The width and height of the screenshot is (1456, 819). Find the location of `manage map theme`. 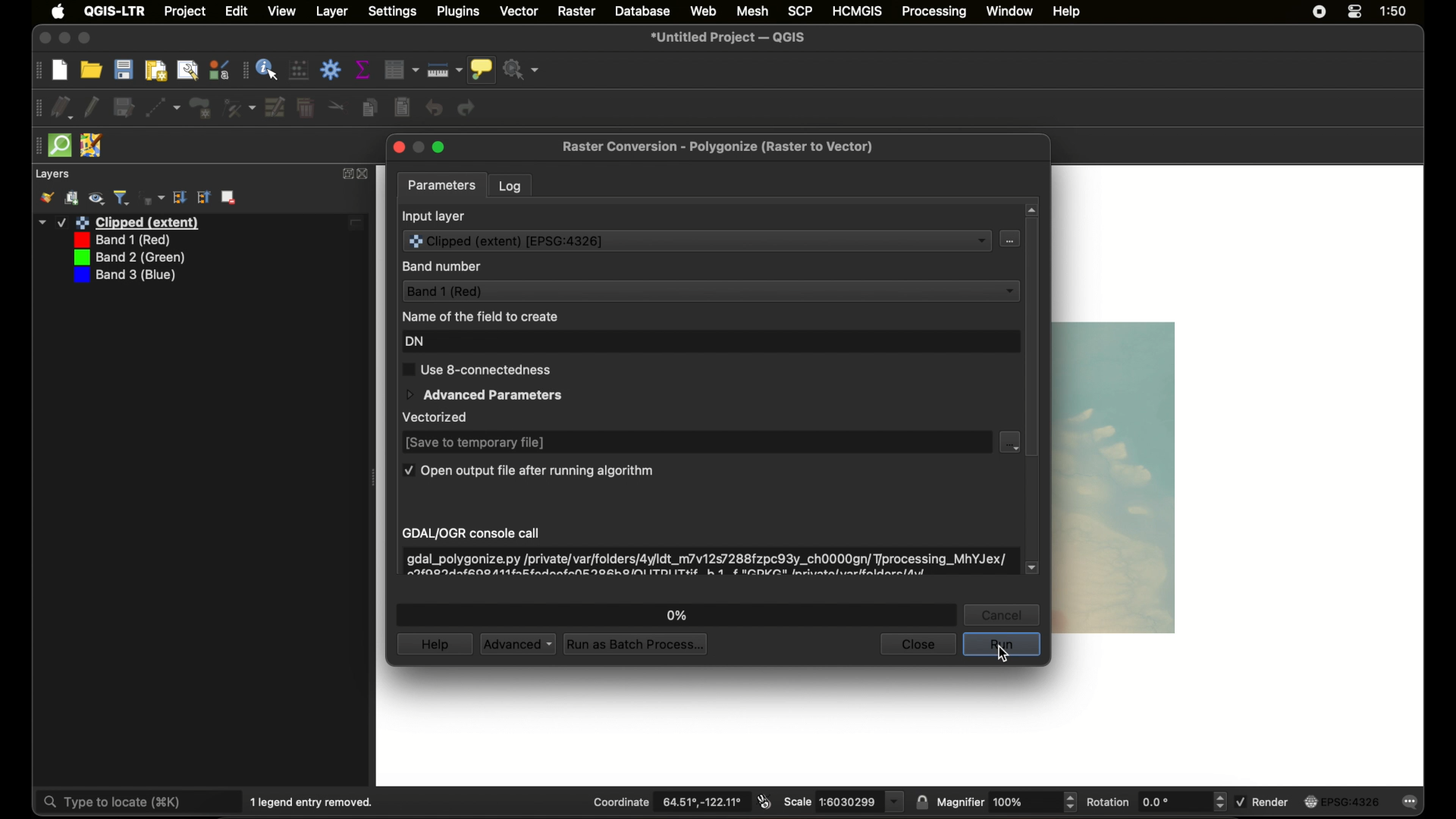

manage map theme is located at coordinates (96, 199).